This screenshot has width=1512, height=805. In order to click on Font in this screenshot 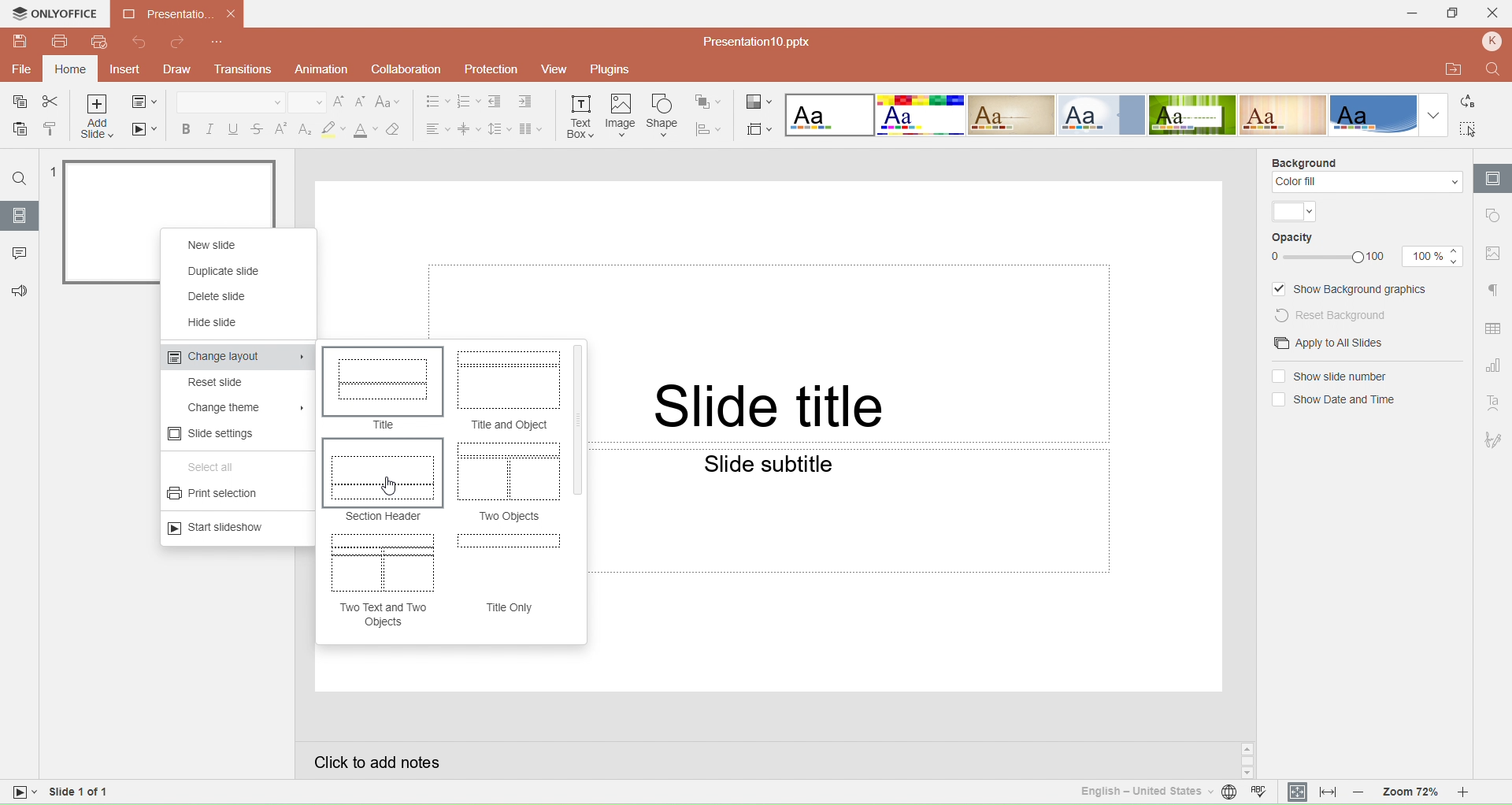, I will do `click(229, 101)`.